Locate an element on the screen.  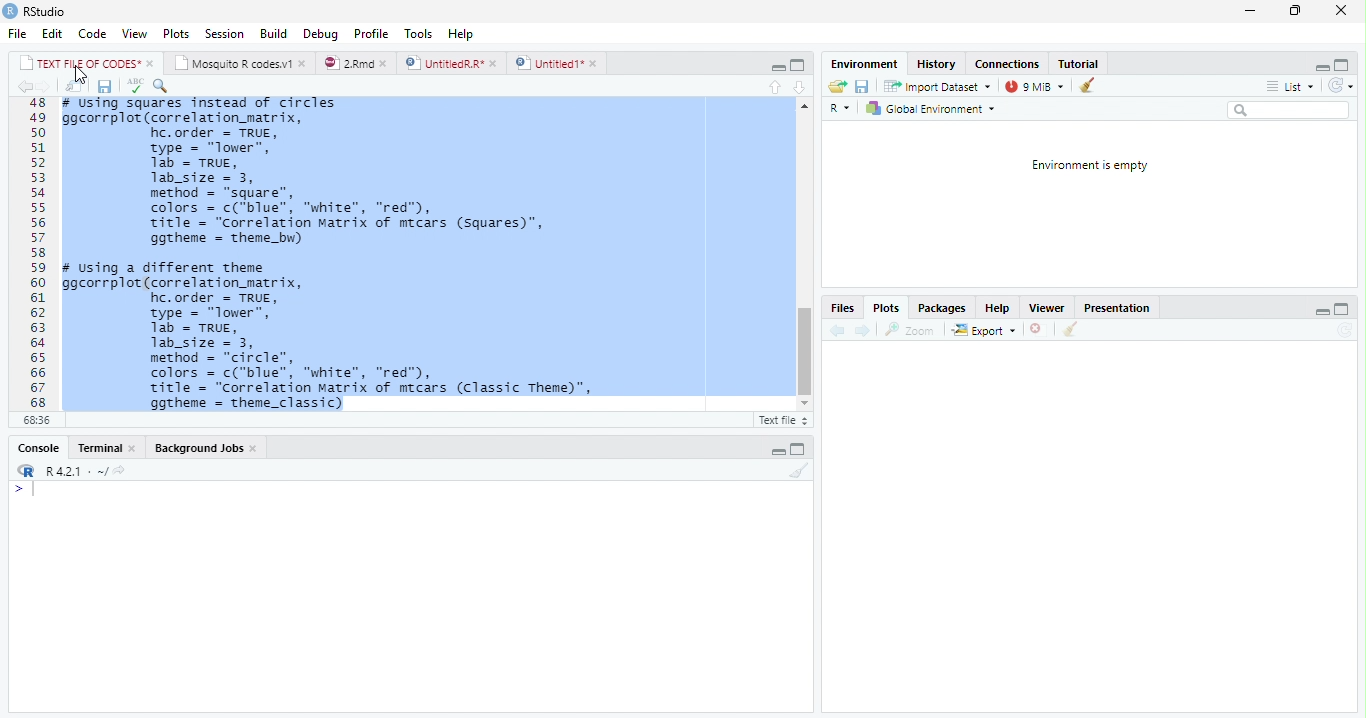
= List is located at coordinates (1292, 87).